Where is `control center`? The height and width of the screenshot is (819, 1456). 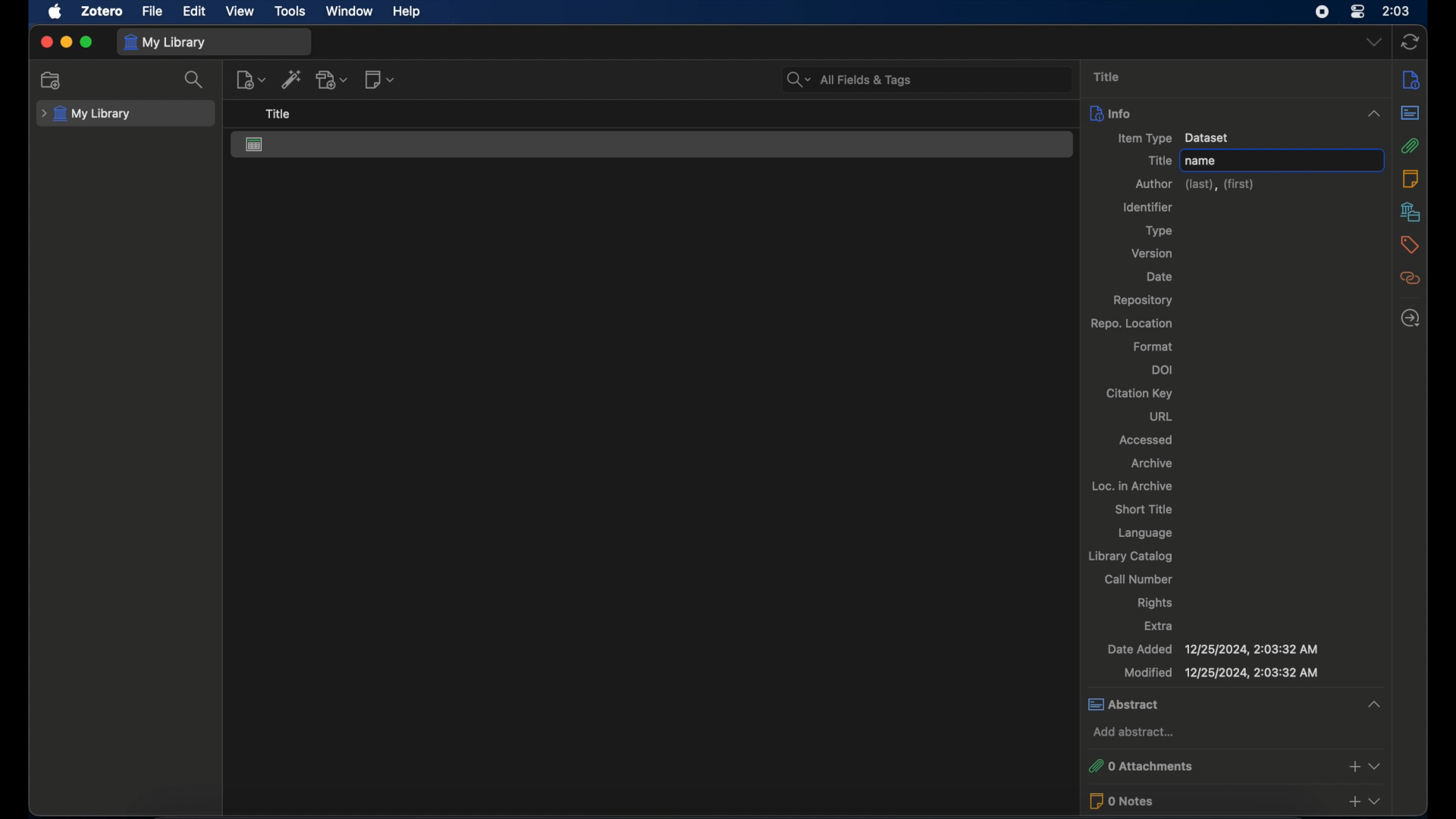 control center is located at coordinates (1357, 12).